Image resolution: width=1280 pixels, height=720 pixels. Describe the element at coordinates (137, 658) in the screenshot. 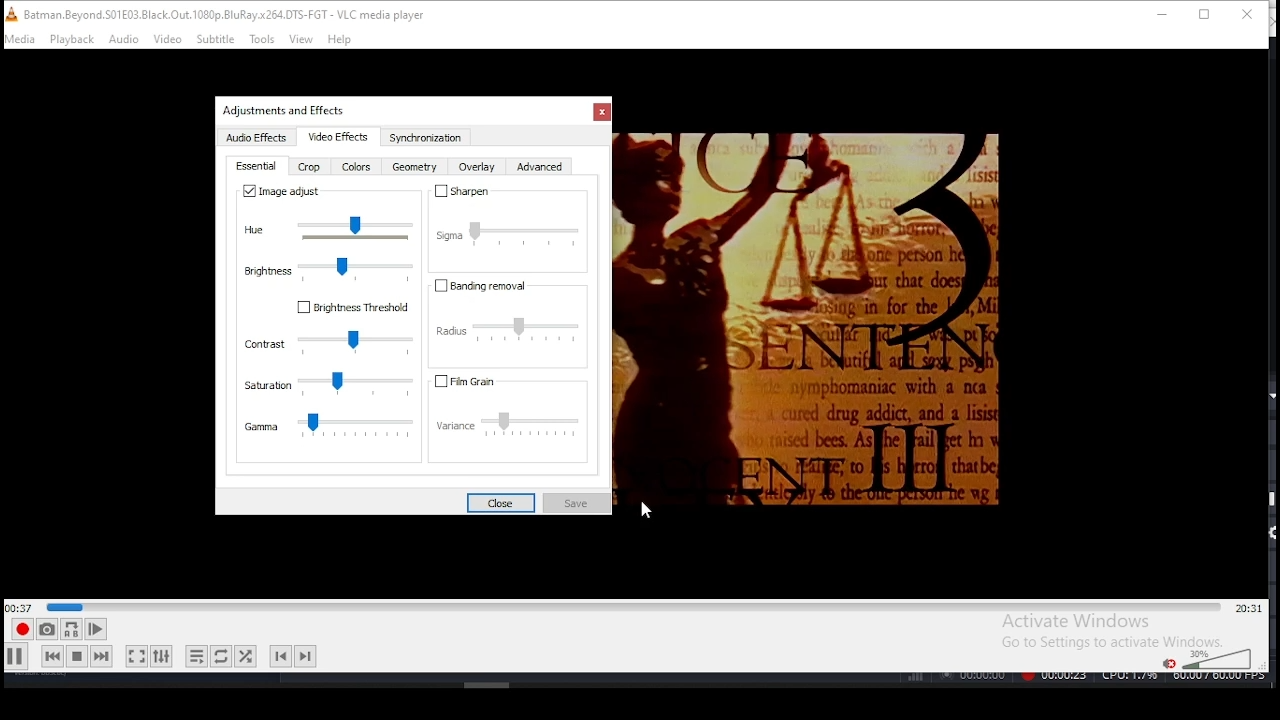

I see `toggle fullscreen` at that location.